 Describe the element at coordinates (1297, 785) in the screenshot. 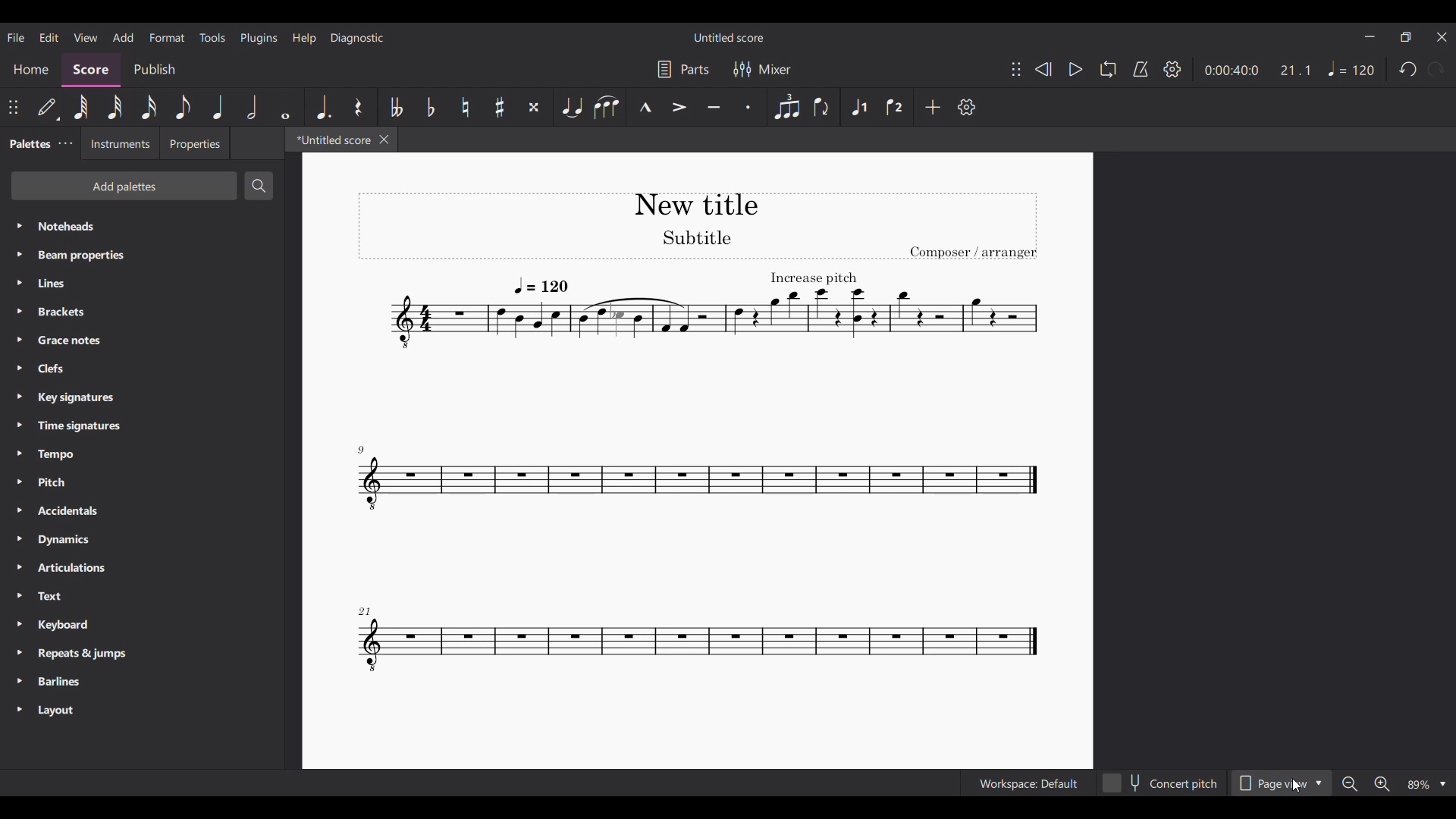

I see `Cursor` at that location.